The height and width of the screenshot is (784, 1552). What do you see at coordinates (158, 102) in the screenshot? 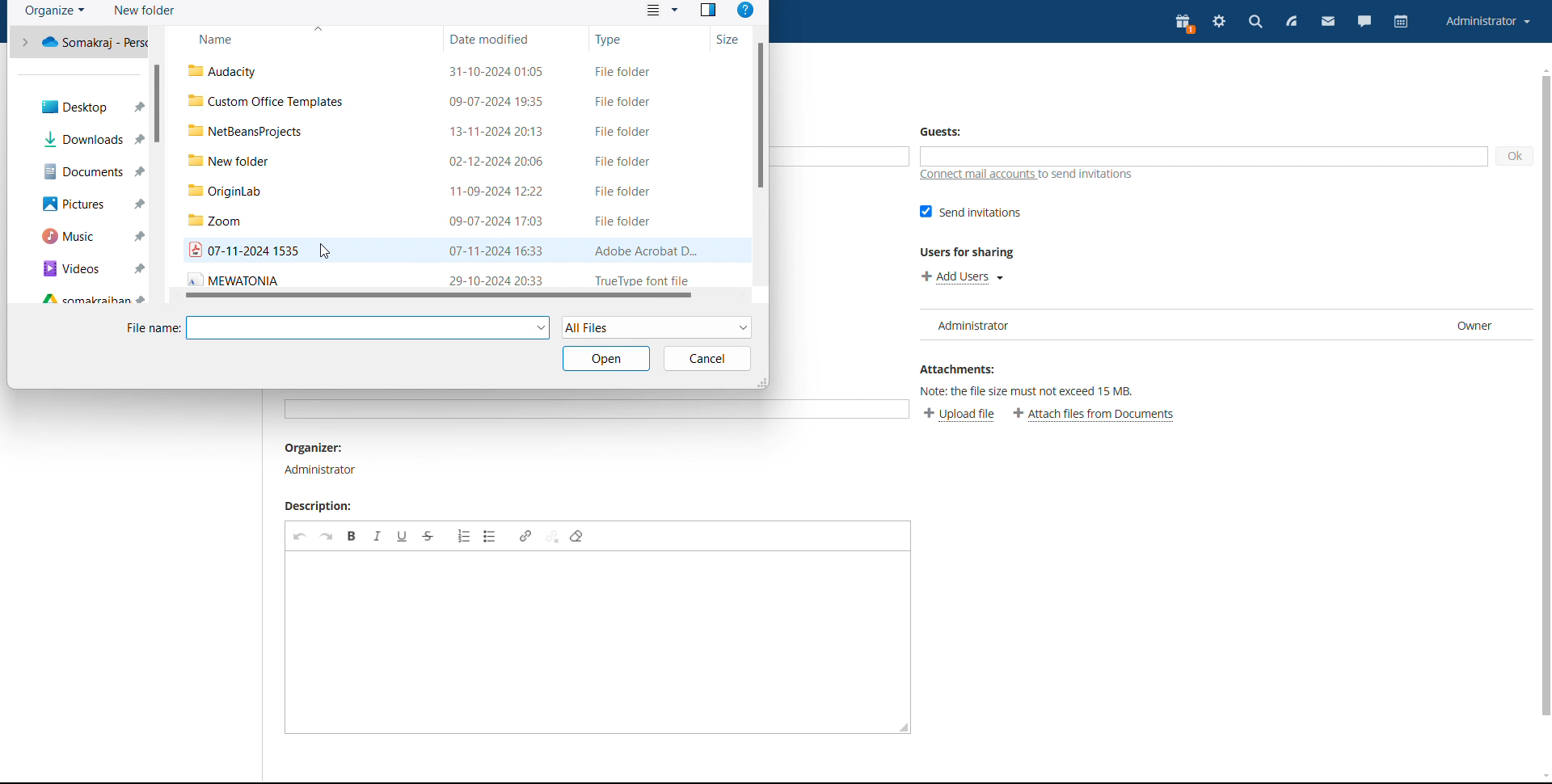
I see `scrollbar` at bounding box center [158, 102].